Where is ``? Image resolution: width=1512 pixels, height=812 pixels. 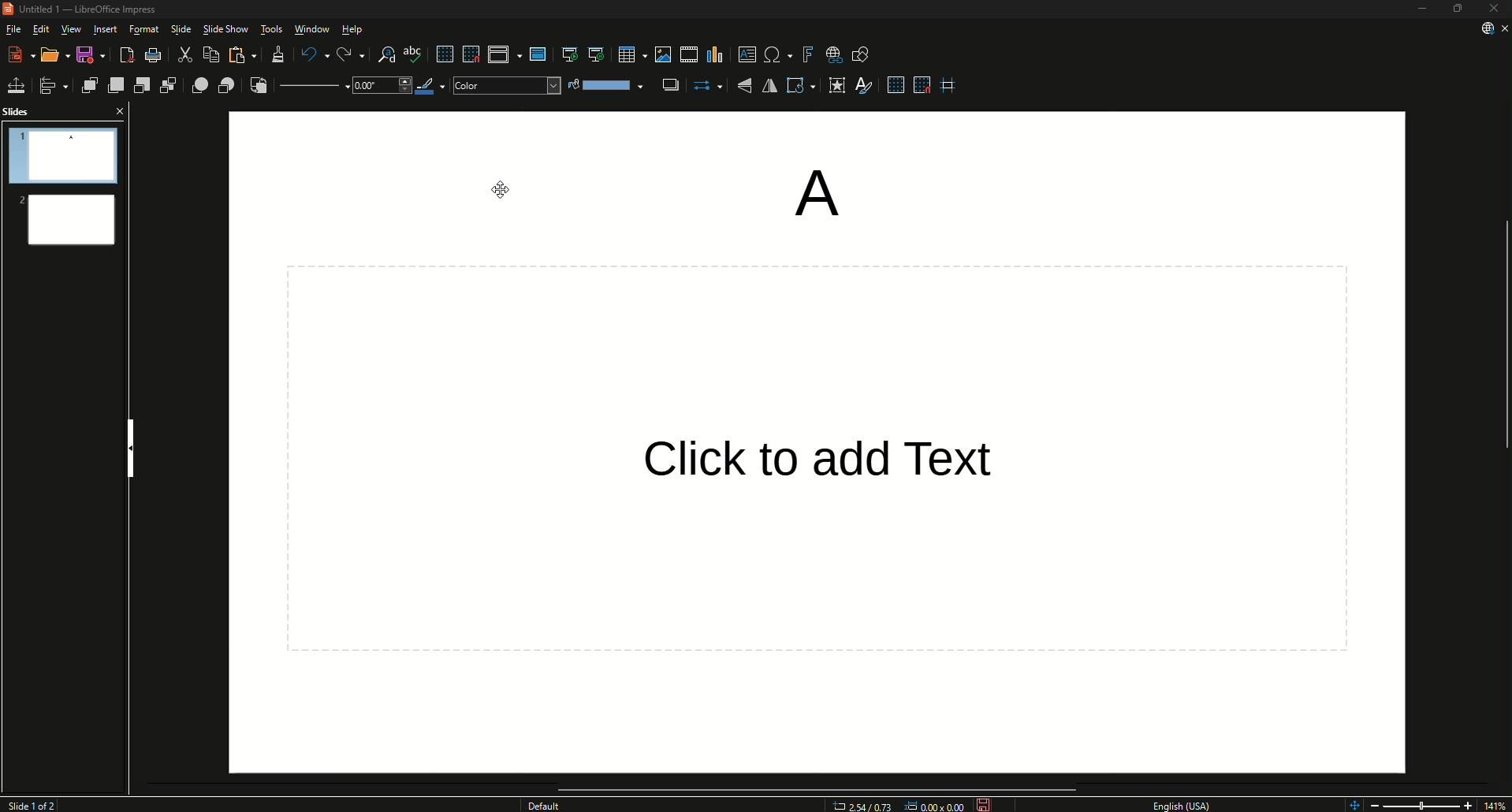
 is located at coordinates (797, 453).